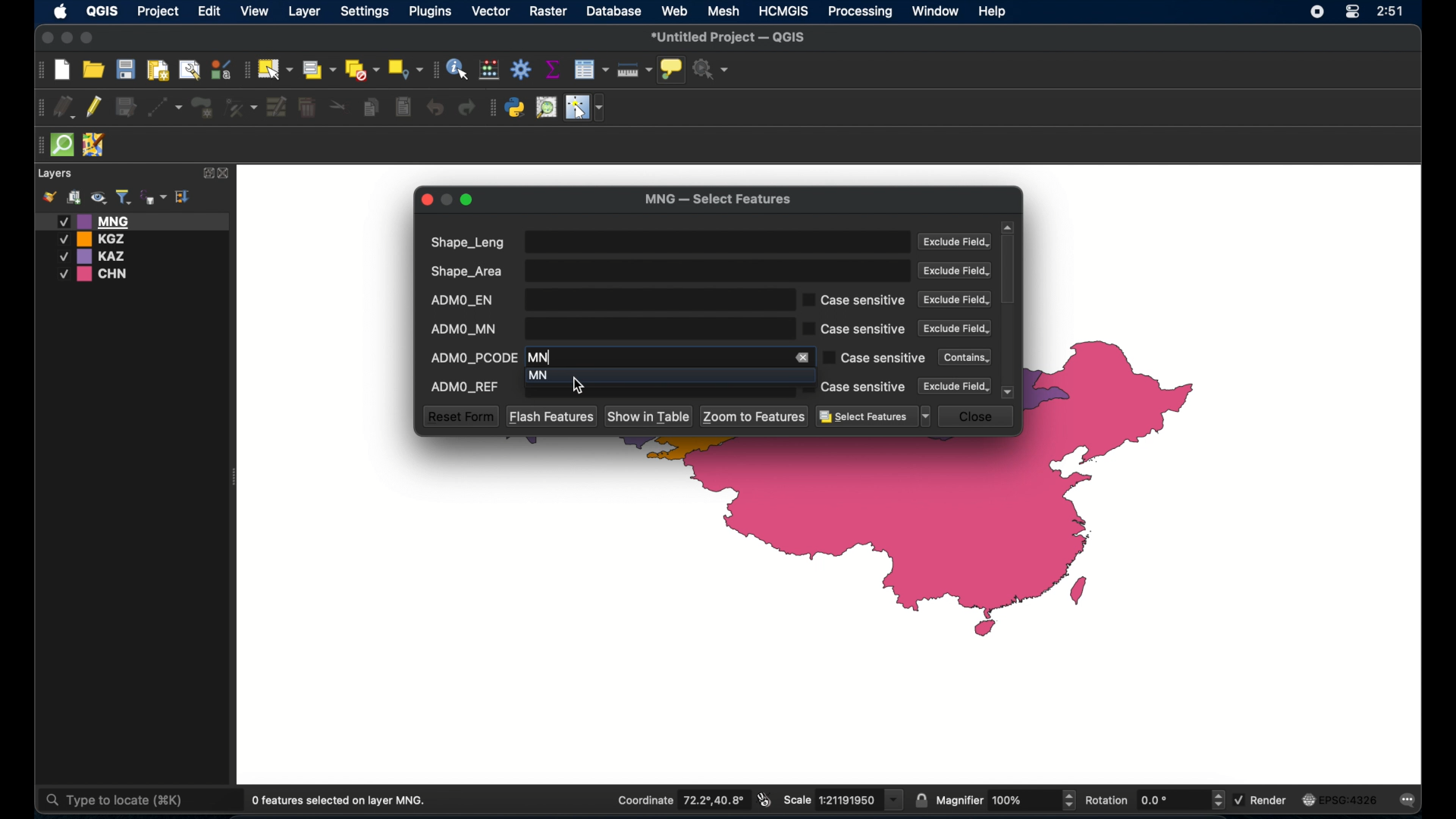  Describe the element at coordinates (101, 14) in the screenshot. I see `QGIS` at that location.